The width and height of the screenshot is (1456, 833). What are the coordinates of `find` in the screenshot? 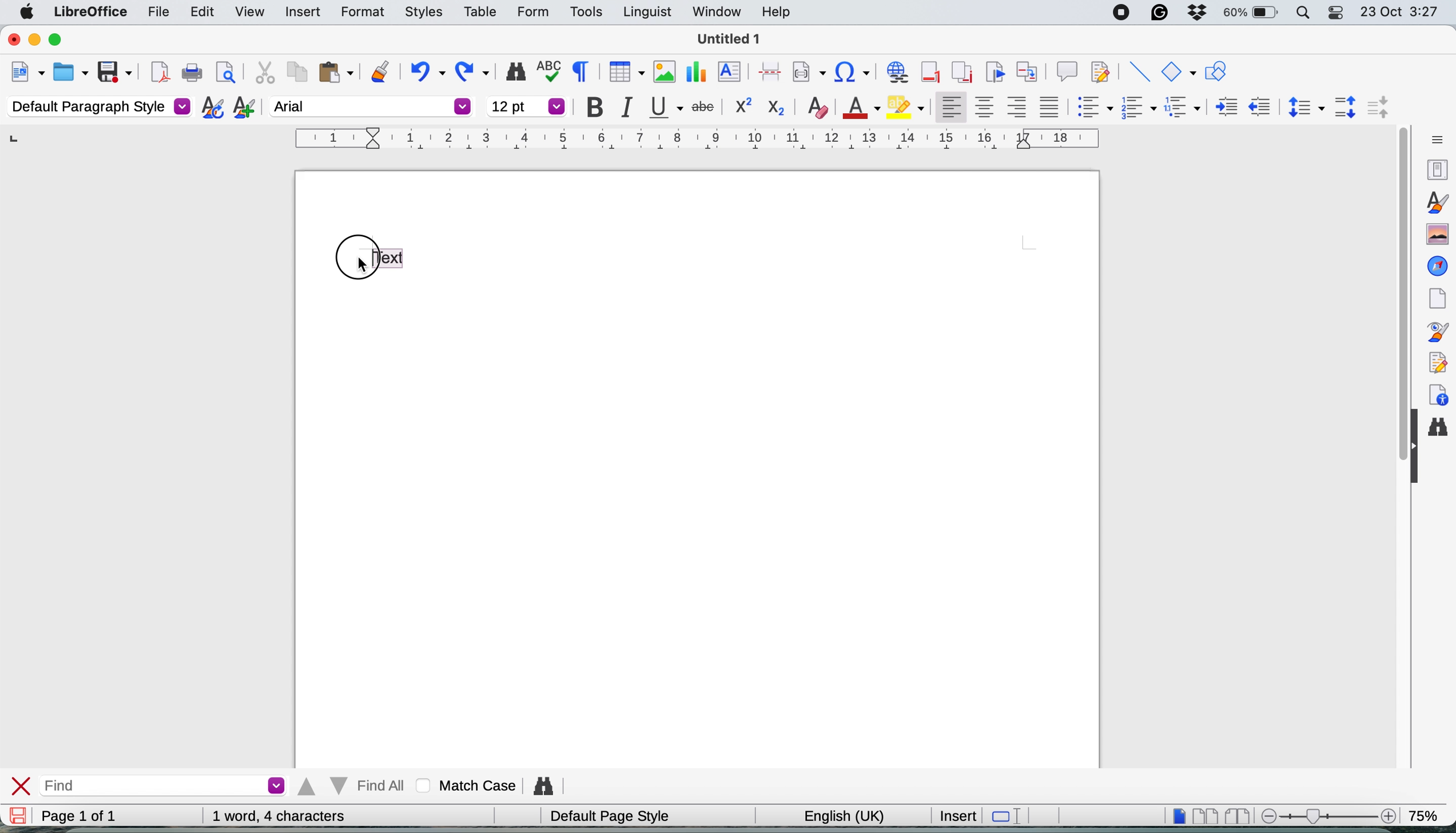 It's located at (162, 784).